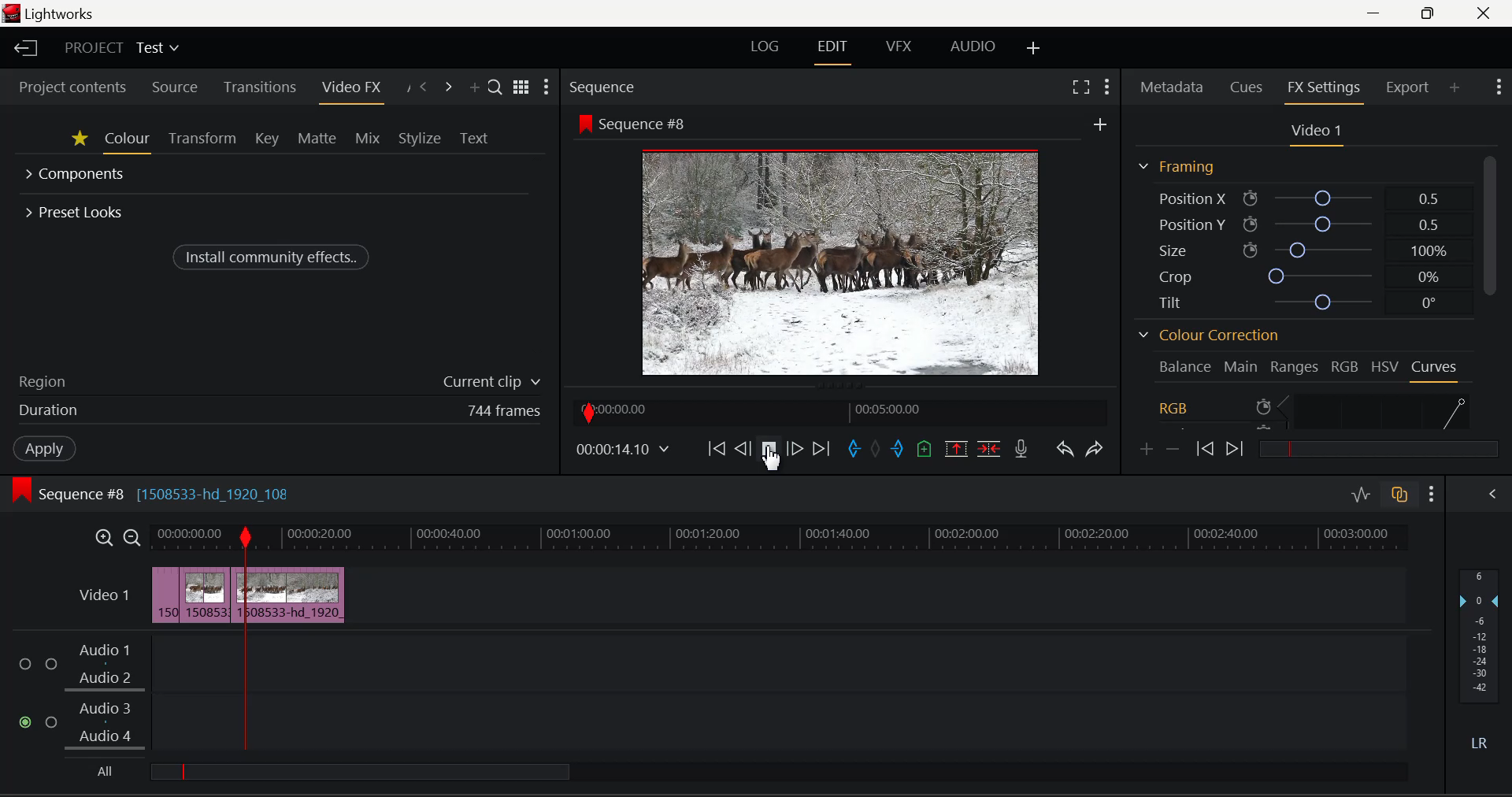 The image size is (1512, 797). Describe the element at coordinates (1295, 366) in the screenshot. I see `Ranges` at that location.